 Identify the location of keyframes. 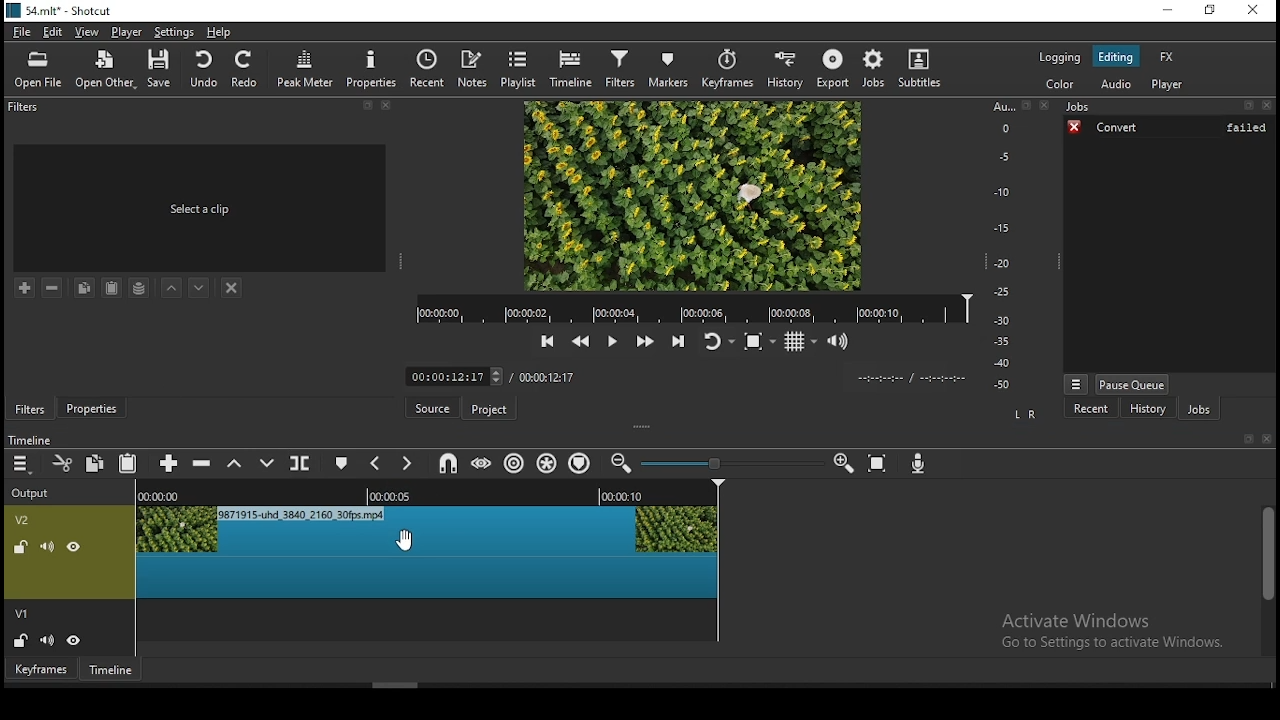
(728, 68).